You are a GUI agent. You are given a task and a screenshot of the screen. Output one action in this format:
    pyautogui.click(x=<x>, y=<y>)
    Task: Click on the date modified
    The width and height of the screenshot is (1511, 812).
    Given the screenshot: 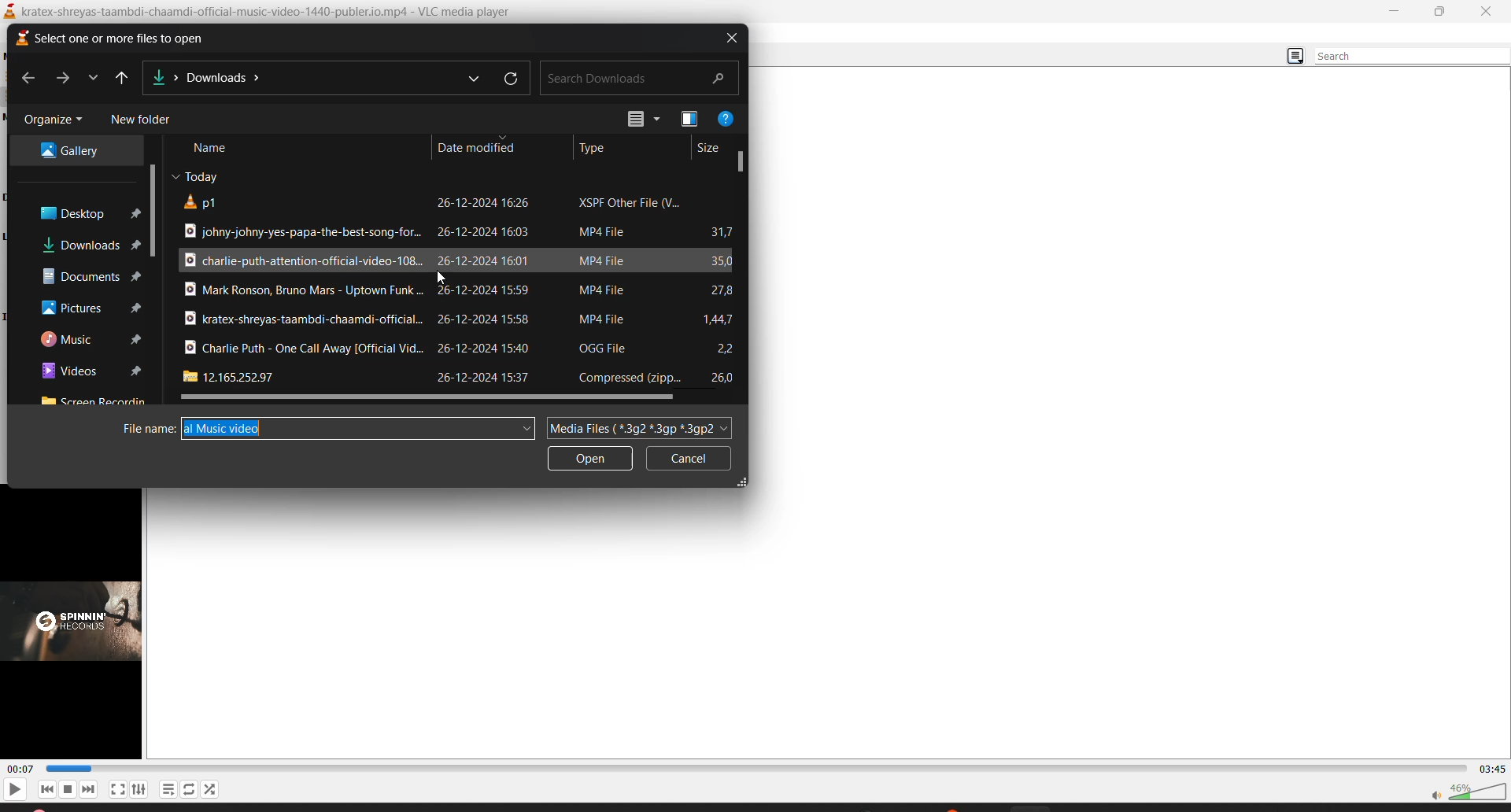 What is the action you would take?
    pyautogui.click(x=482, y=148)
    